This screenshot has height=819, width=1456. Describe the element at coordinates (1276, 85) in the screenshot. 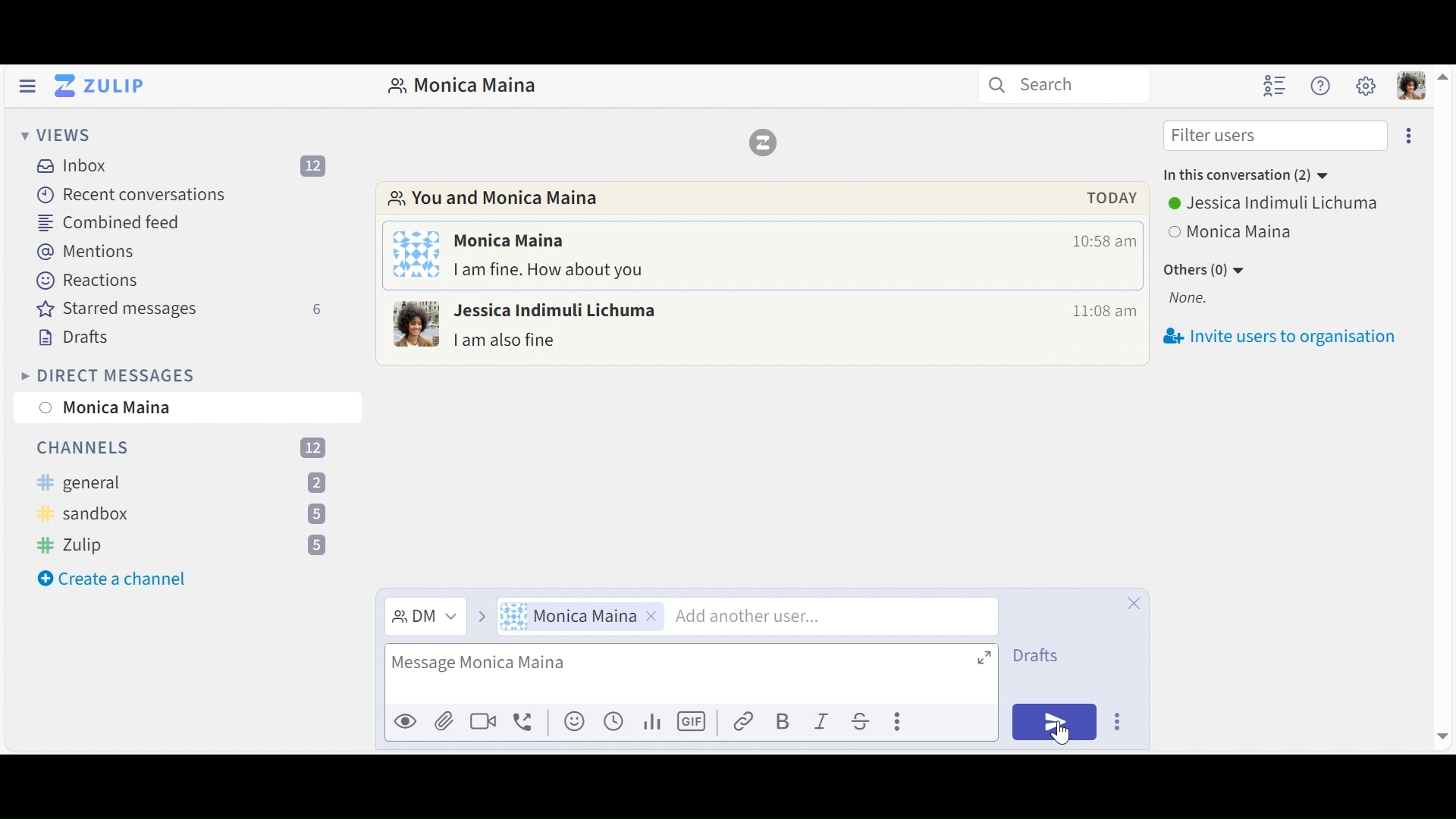

I see `Hide user list` at that location.